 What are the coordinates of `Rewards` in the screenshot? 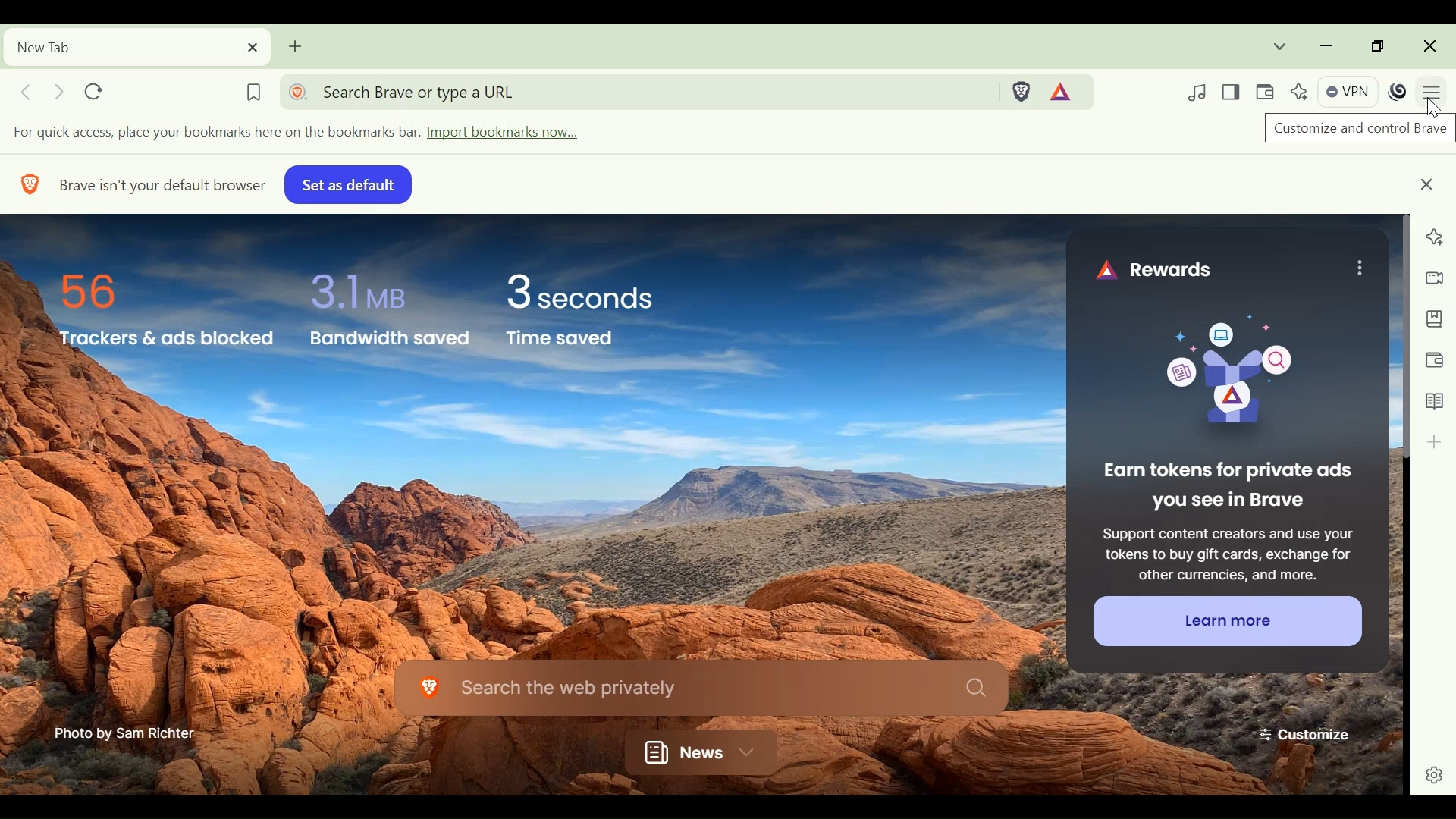 It's located at (1174, 272).